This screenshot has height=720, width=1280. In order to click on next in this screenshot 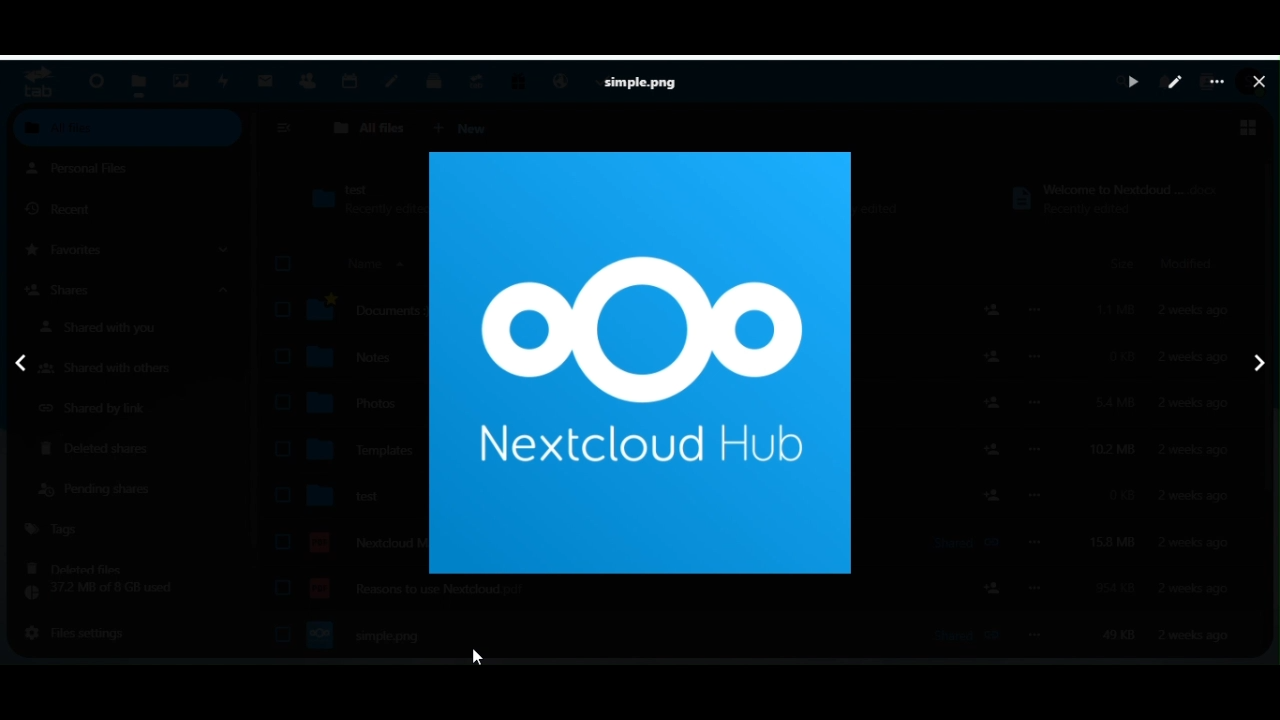, I will do `click(1259, 365)`.